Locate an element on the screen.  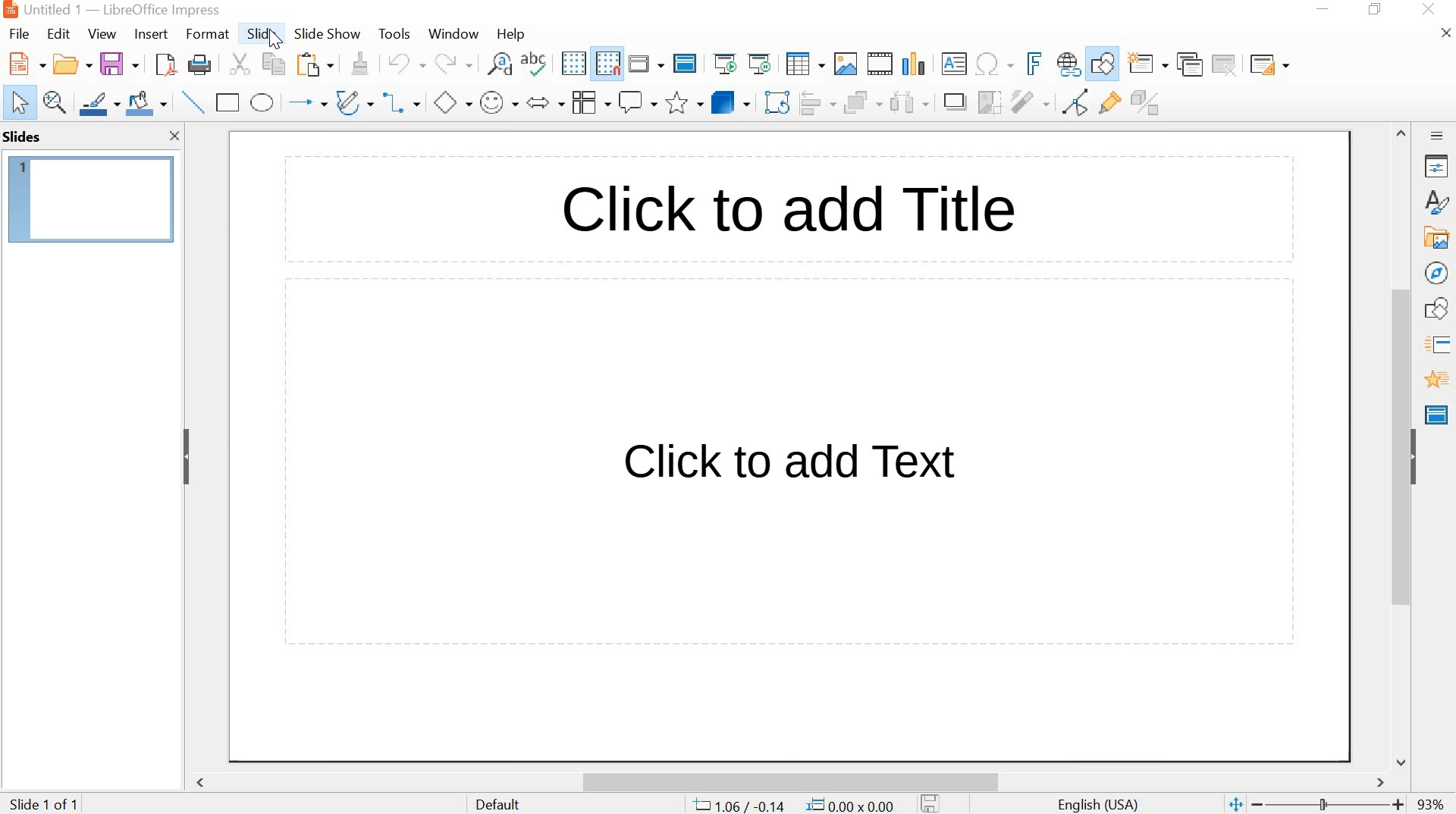
Shadow is located at coordinates (955, 102).